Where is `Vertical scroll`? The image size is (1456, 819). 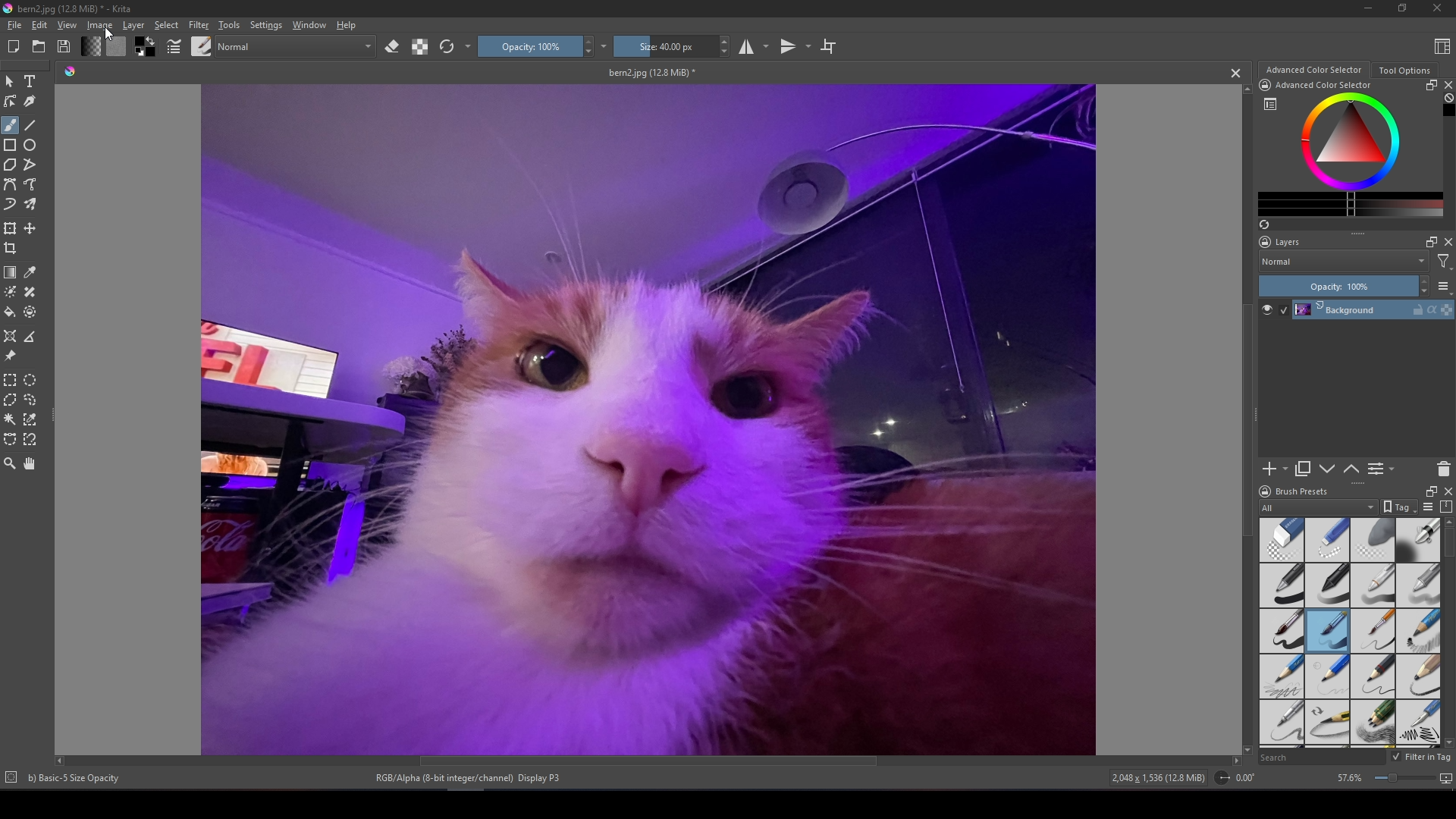 Vertical scroll is located at coordinates (1247, 419).